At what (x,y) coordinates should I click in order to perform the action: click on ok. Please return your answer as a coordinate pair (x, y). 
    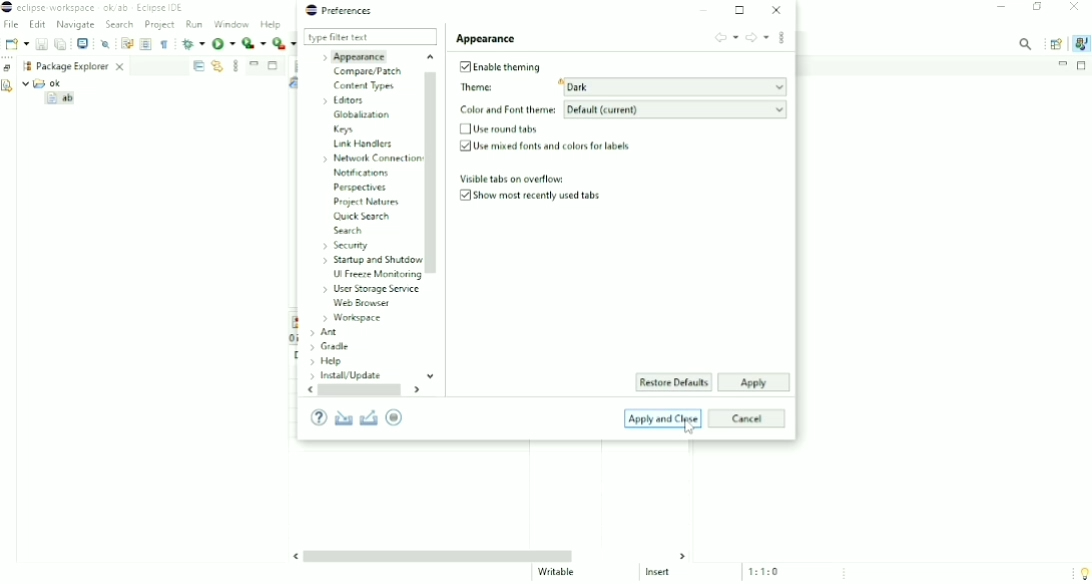
    Looking at the image, I should click on (47, 83).